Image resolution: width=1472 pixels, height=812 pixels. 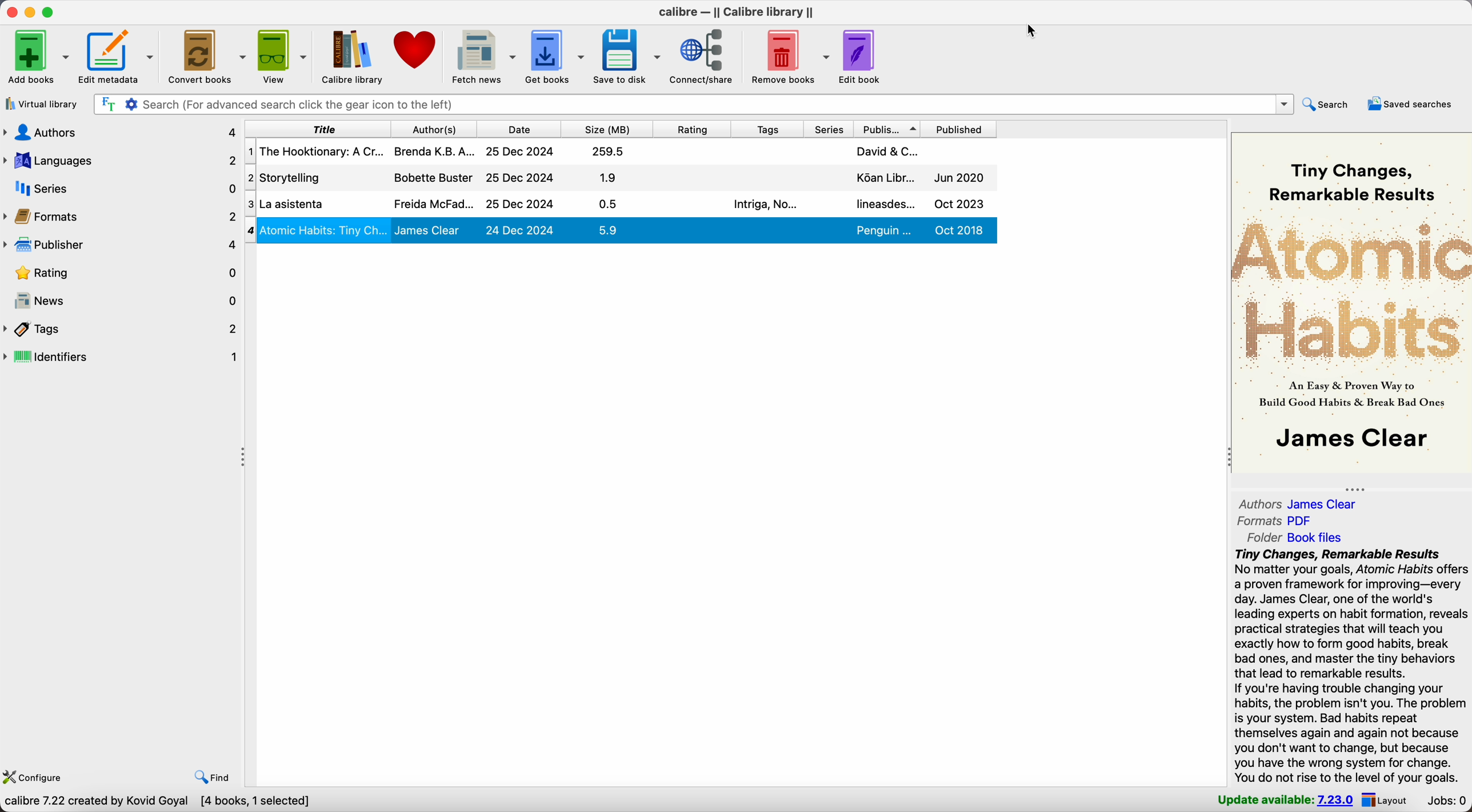 What do you see at coordinates (119, 275) in the screenshot?
I see `rating` at bounding box center [119, 275].